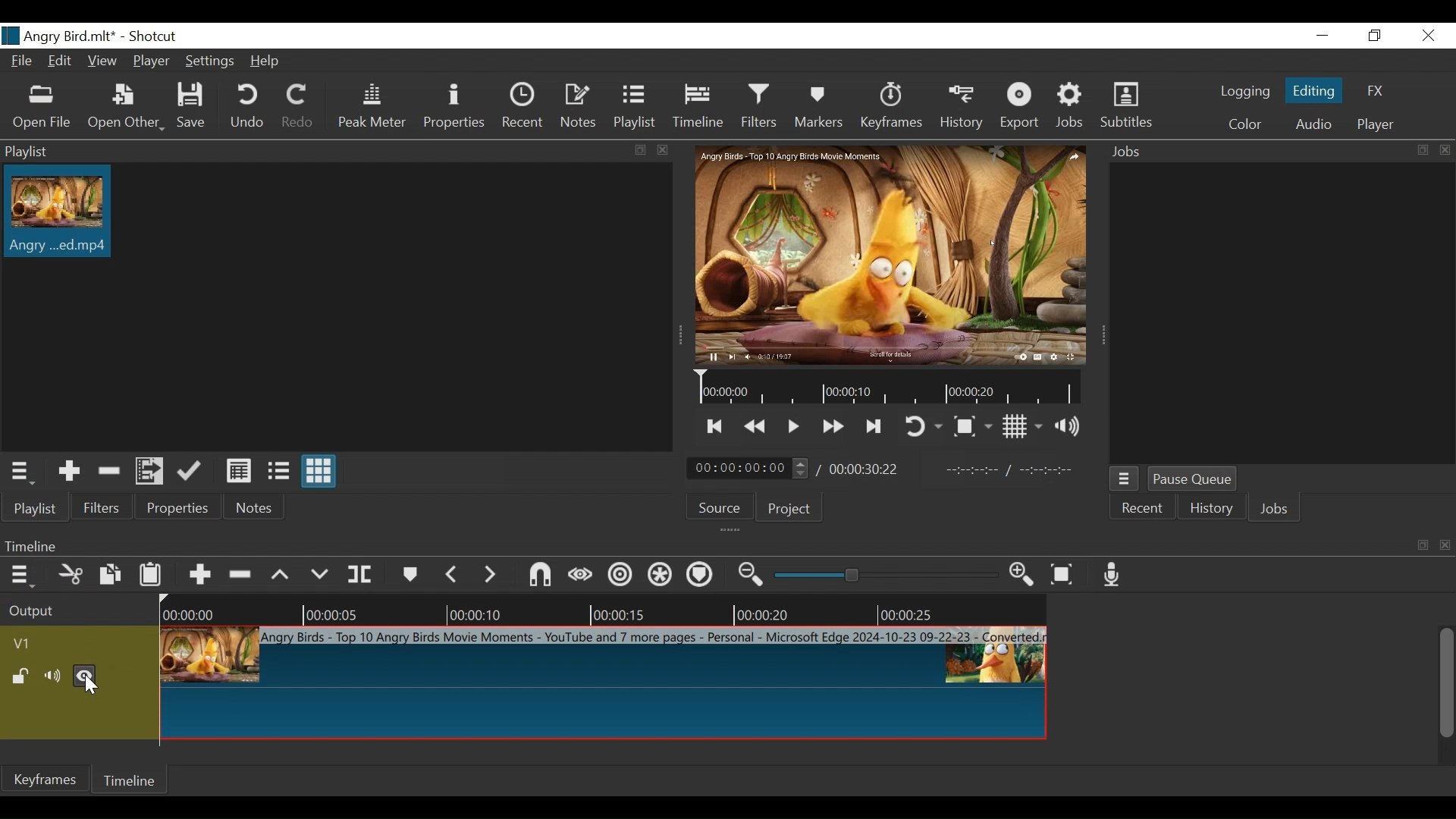  What do you see at coordinates (789, 509) in the screenshot?
I see `Project` at bounding box center [789, 509].